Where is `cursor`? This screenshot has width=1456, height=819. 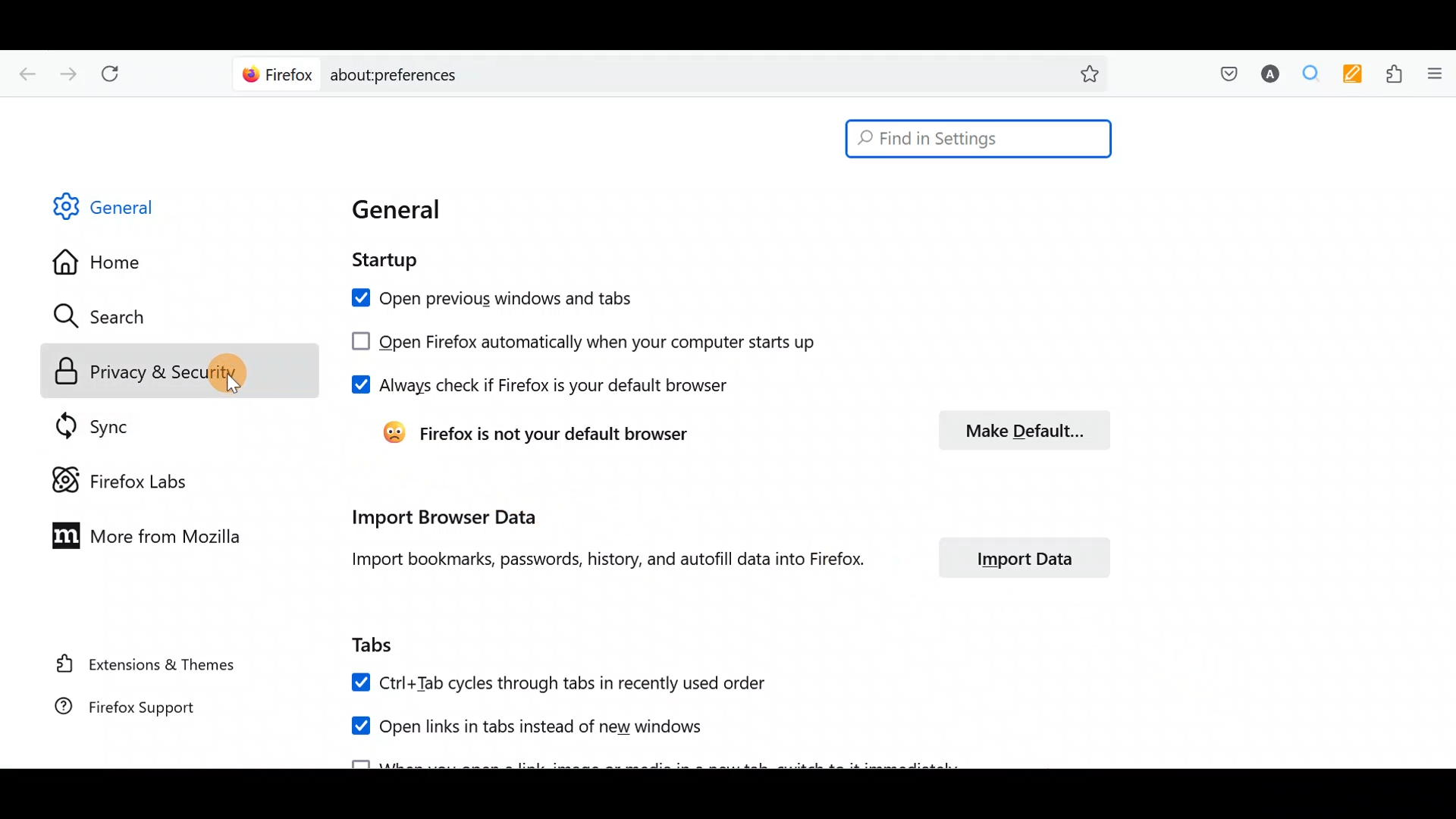
cursor is located at coordinates (235, 388).